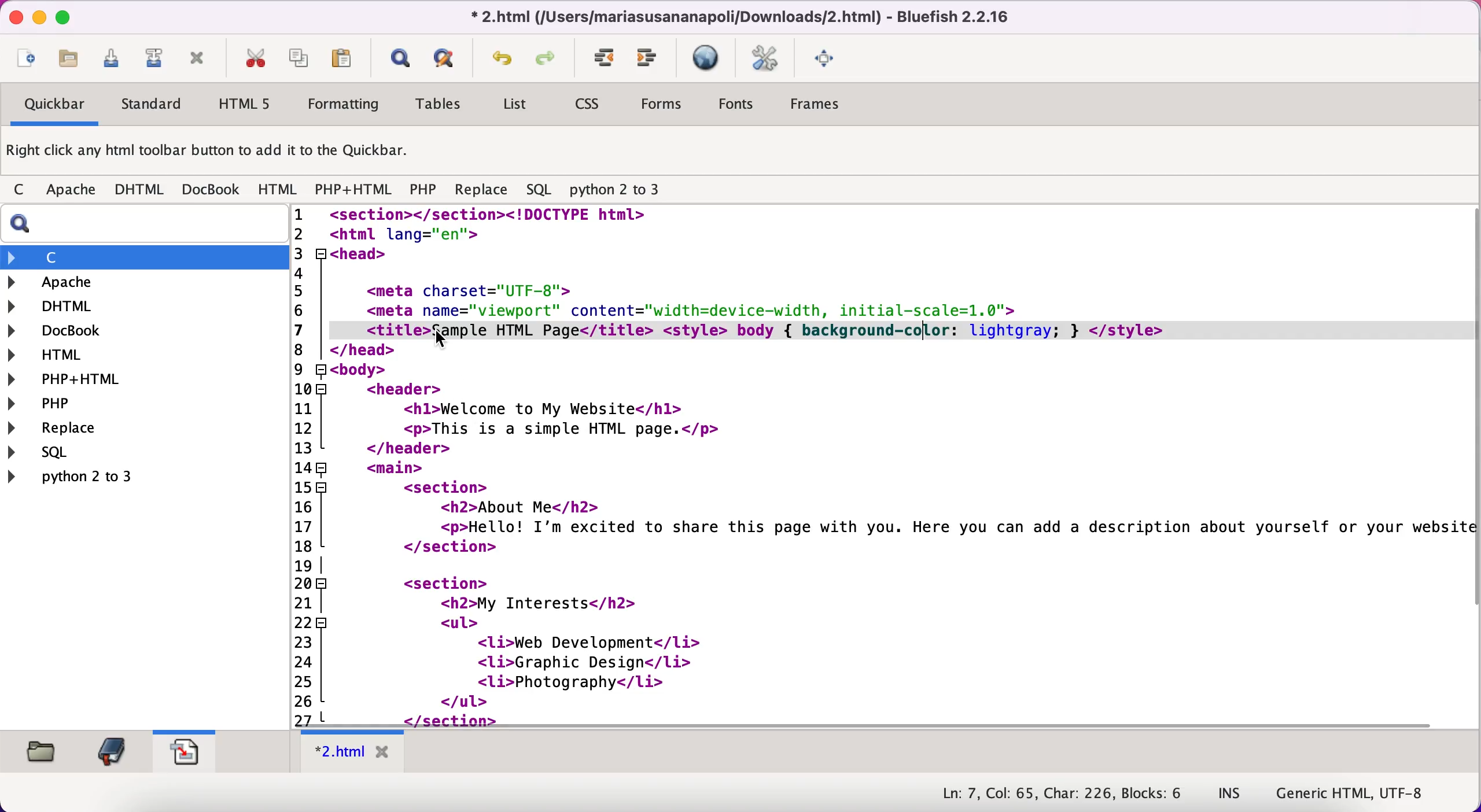 Image resolution: width=1481 pixels, height=812 pixels. I want to click on c, so click(23, 191).